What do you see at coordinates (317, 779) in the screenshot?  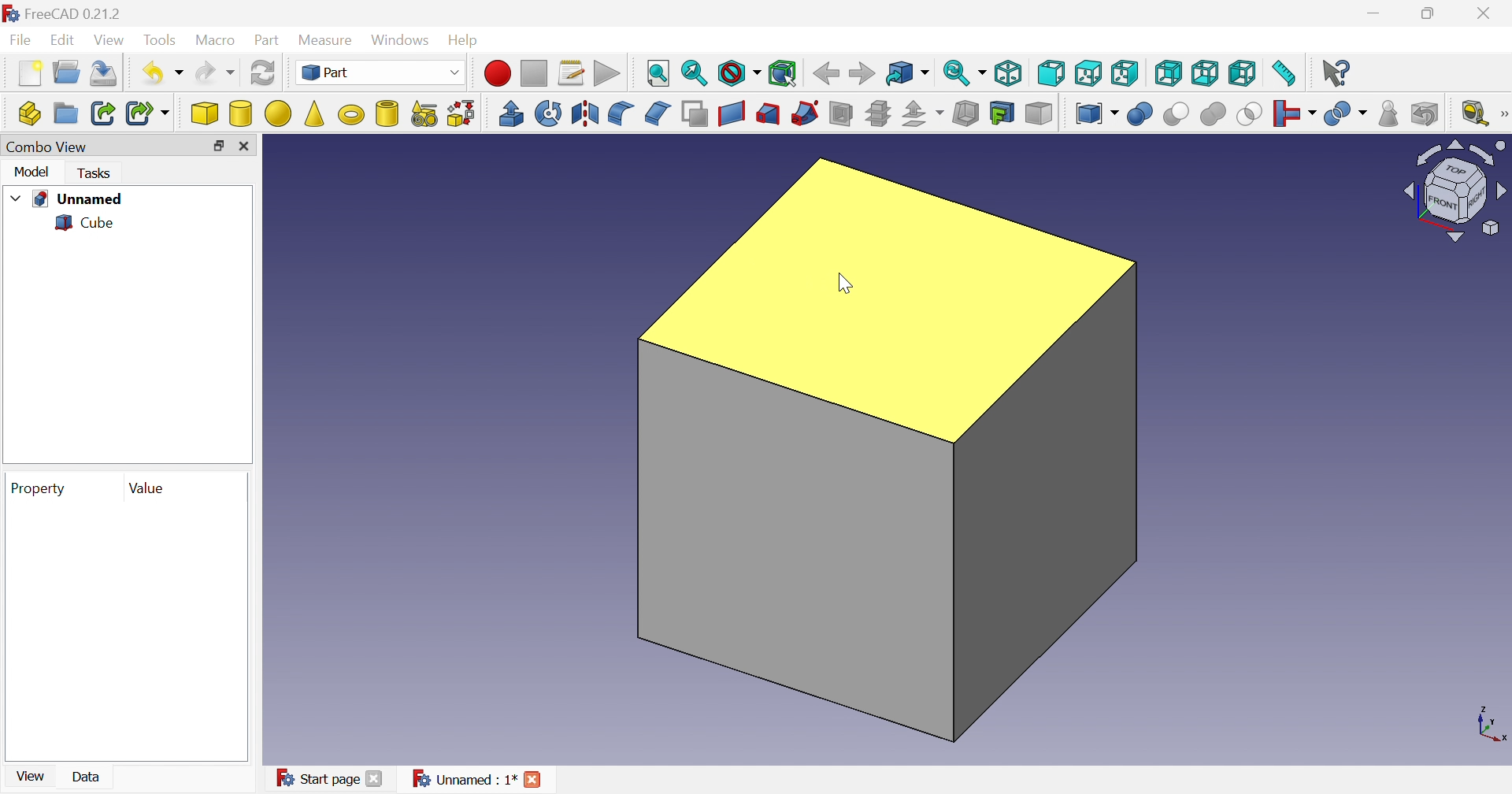 I see `Start page` at bounding box center [317, 779].